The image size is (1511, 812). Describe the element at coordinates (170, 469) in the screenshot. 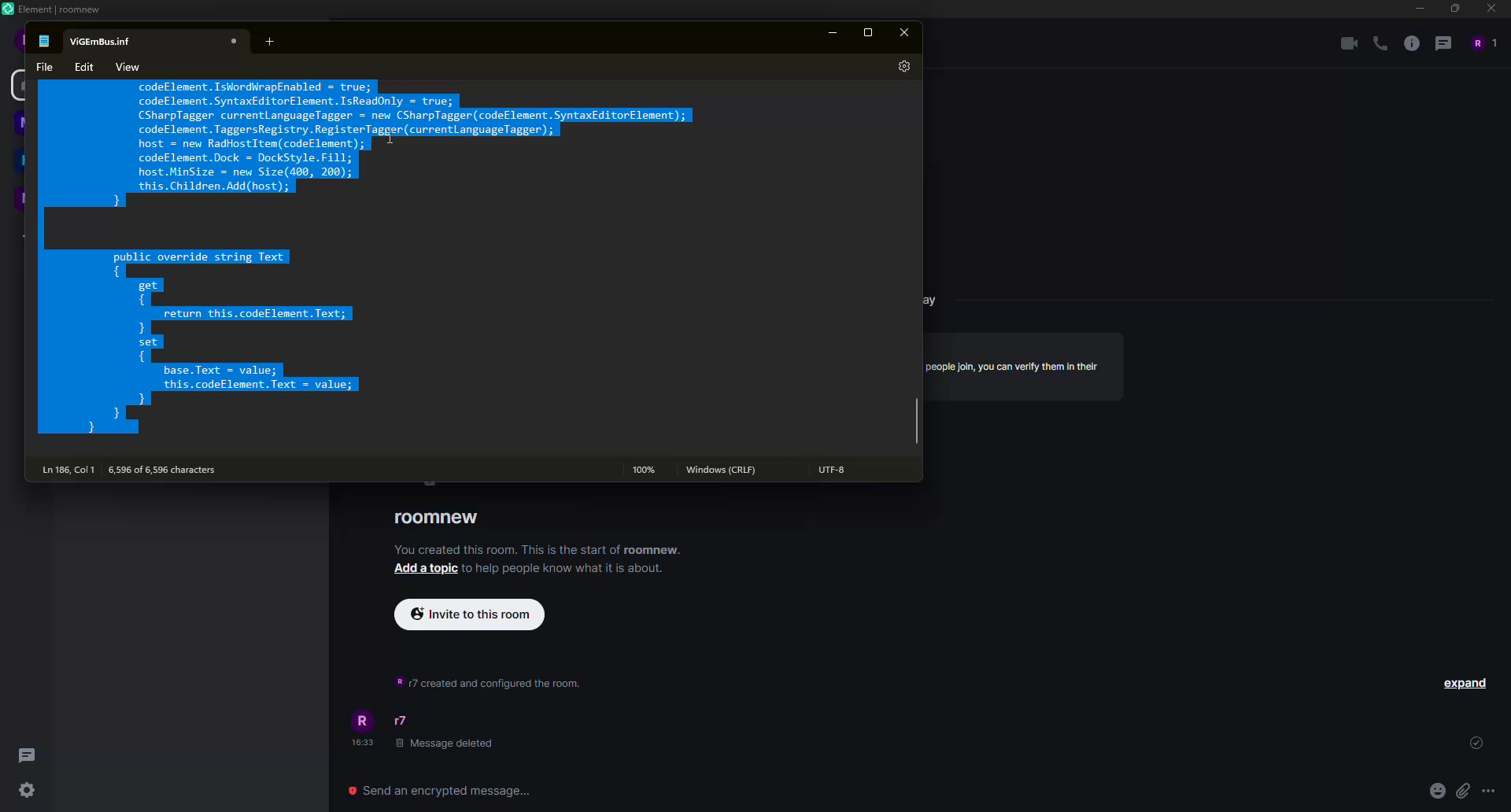

I see `characters` at that location.